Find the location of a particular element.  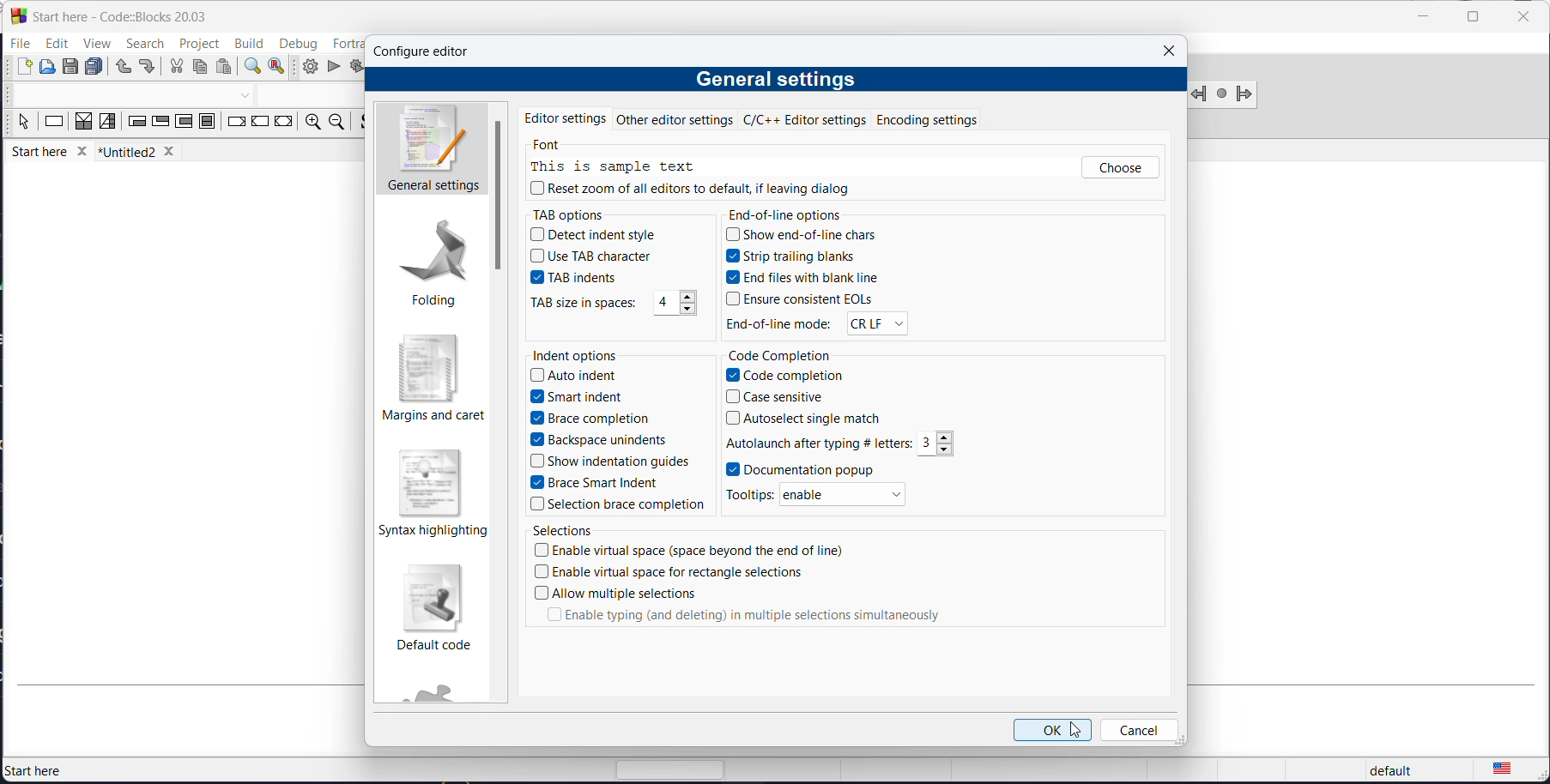

selection is located at coordinates (108, 123).